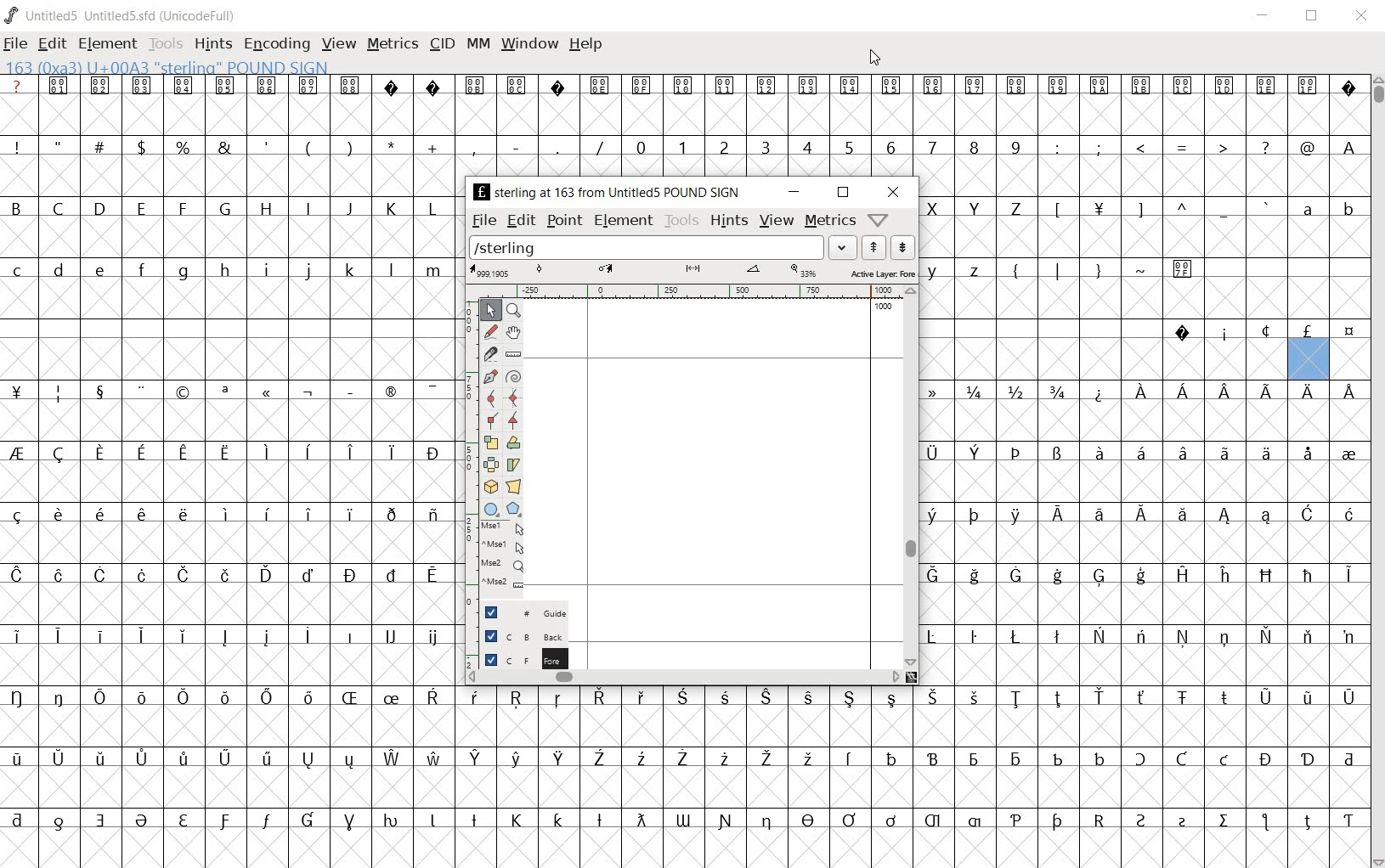 This screenshot has height=868, width=1385. Describe the element at coordinates (348, 389) in the screenshot. I see `Symbol` at that location.